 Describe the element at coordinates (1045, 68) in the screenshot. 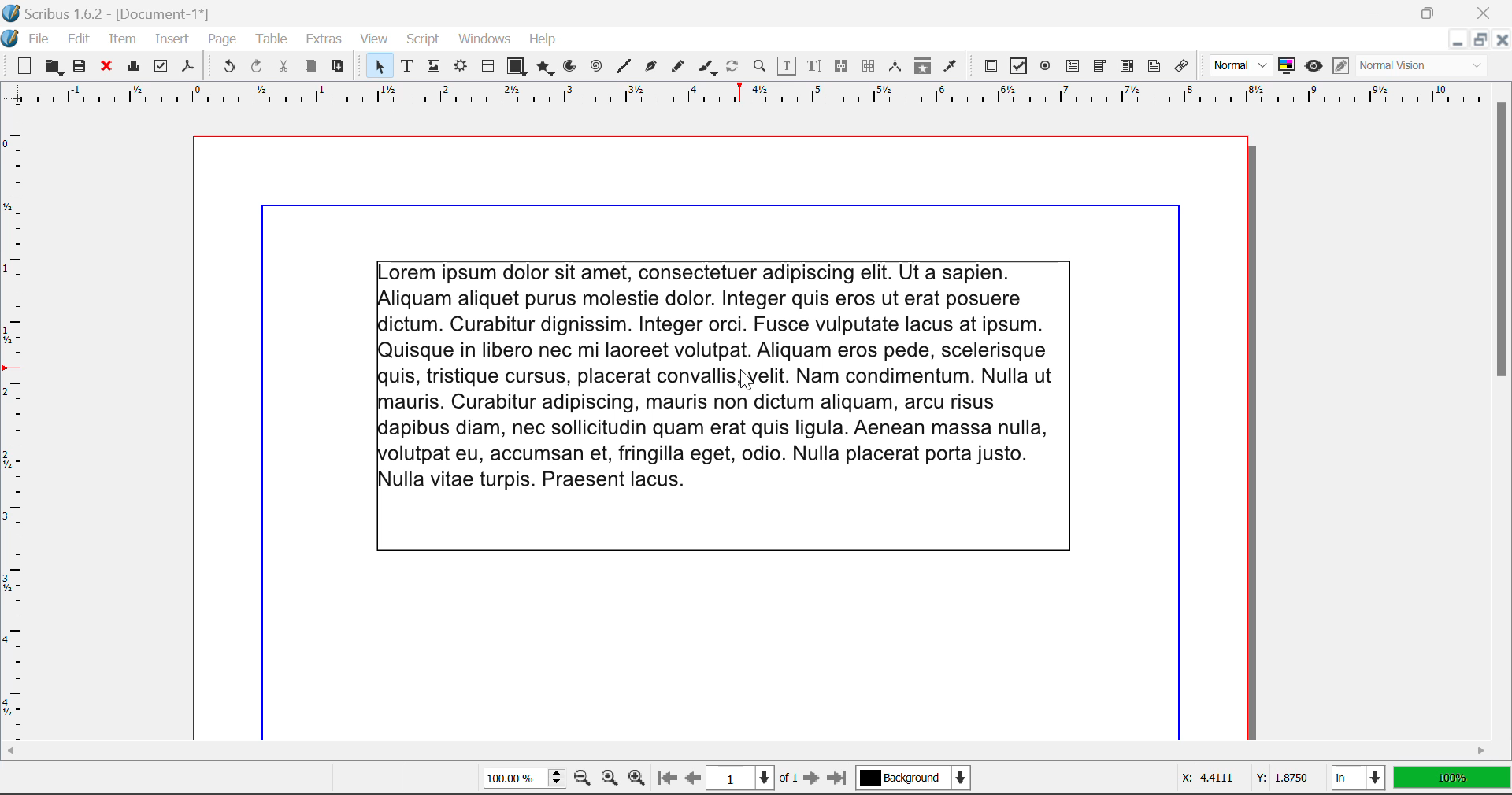

I see `PDF Radio Button` at that location.